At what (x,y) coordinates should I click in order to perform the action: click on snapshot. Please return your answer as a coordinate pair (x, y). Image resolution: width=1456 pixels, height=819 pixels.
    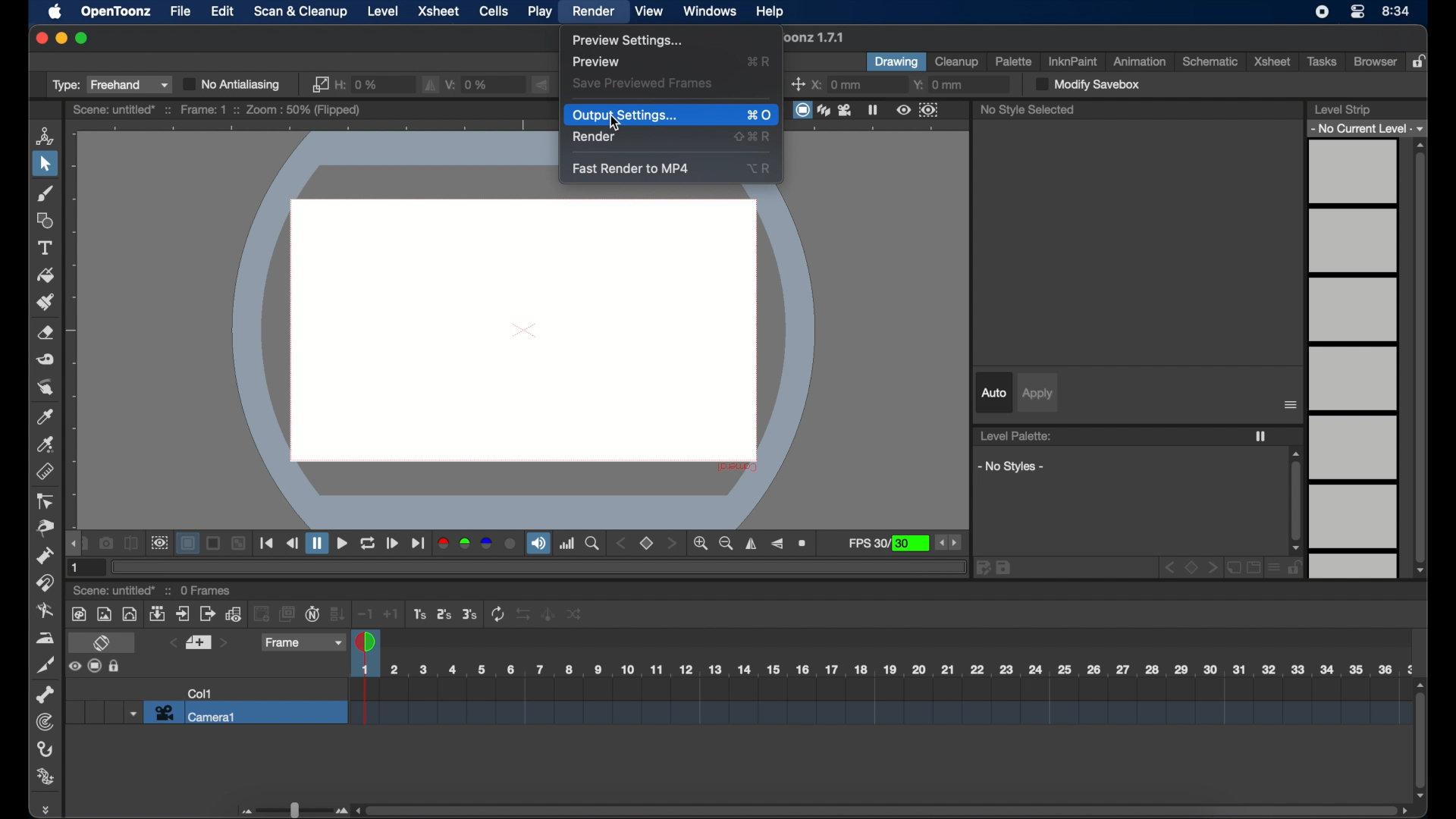
    Looking at the image, I should click on (106, 542).